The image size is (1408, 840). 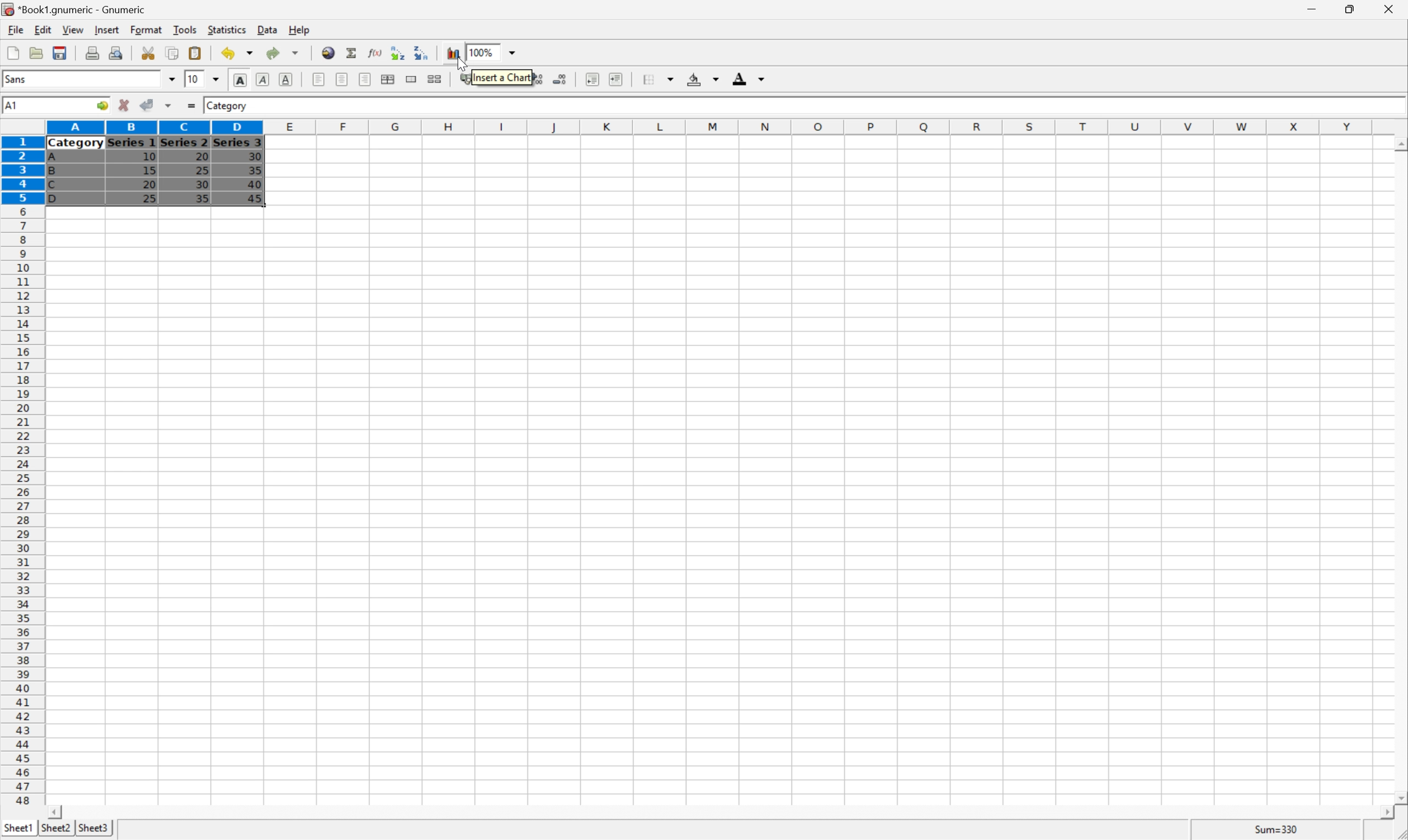 What do you see at coordinates (254, 156) in the screenshot?
I see `30` at bounding box center [254, 156].